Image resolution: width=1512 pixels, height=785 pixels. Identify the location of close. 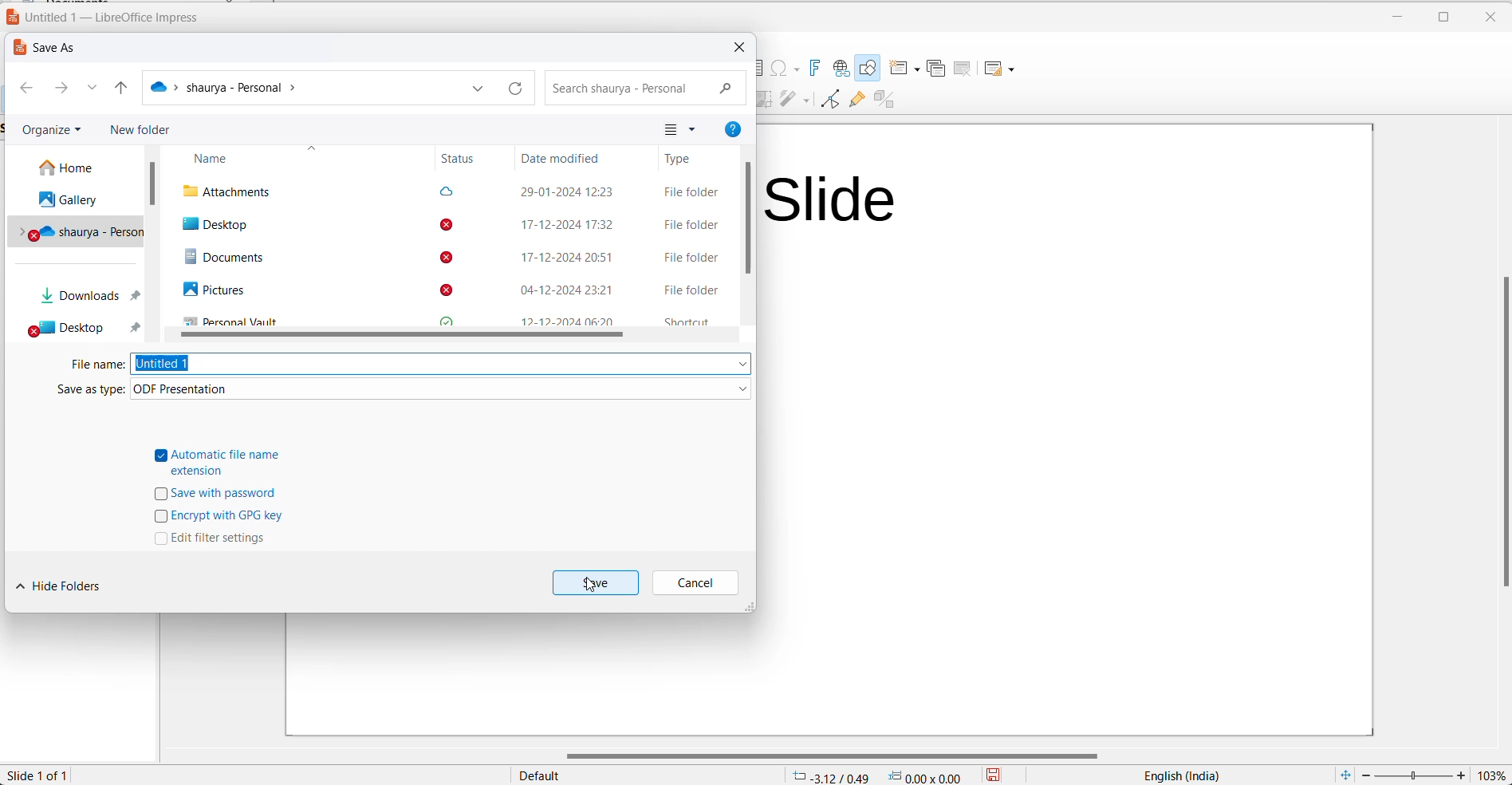
(1487, 18).